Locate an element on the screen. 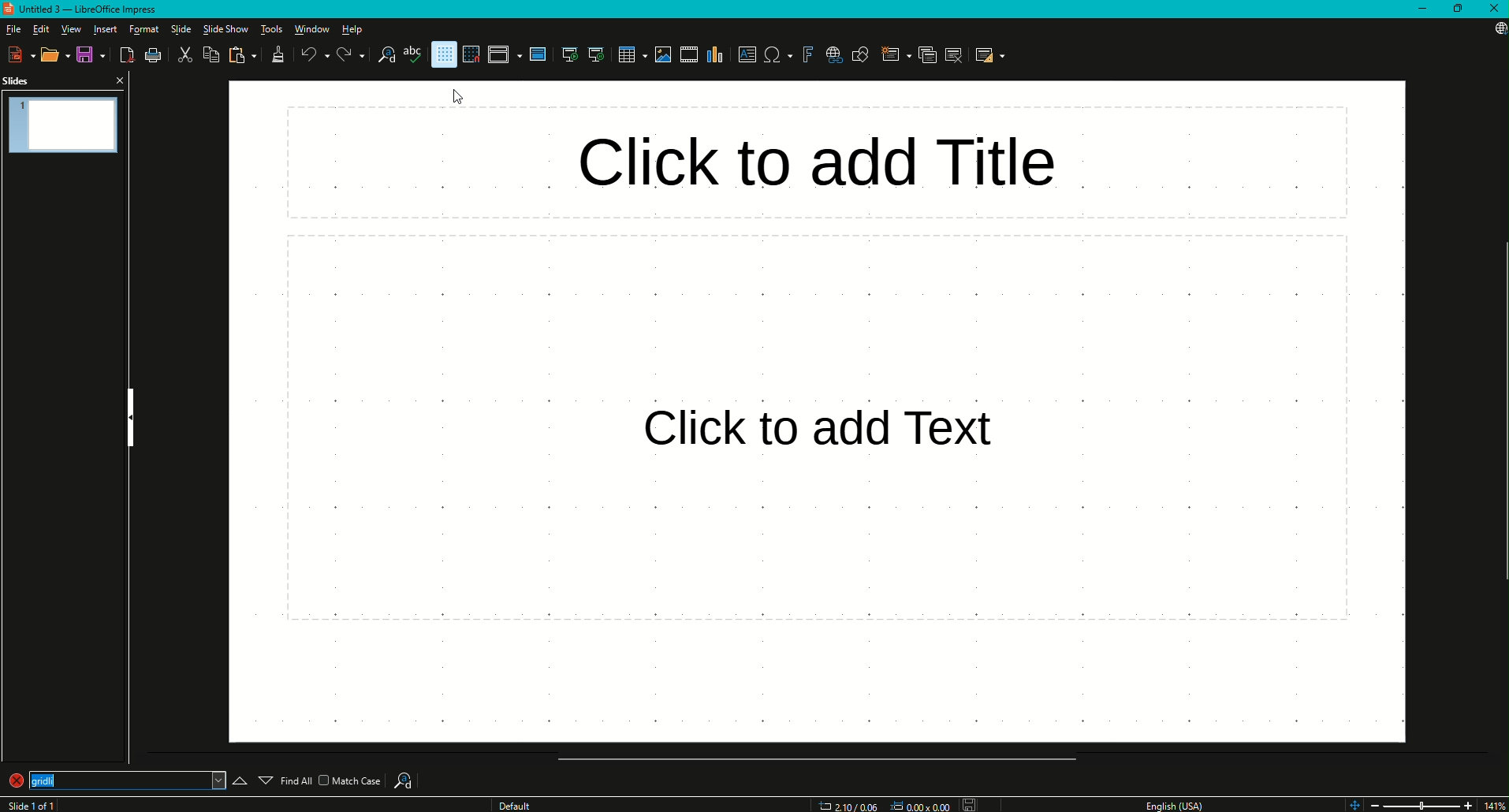 The image size is (1509, 812). Close is located at coordinates (35, 782).